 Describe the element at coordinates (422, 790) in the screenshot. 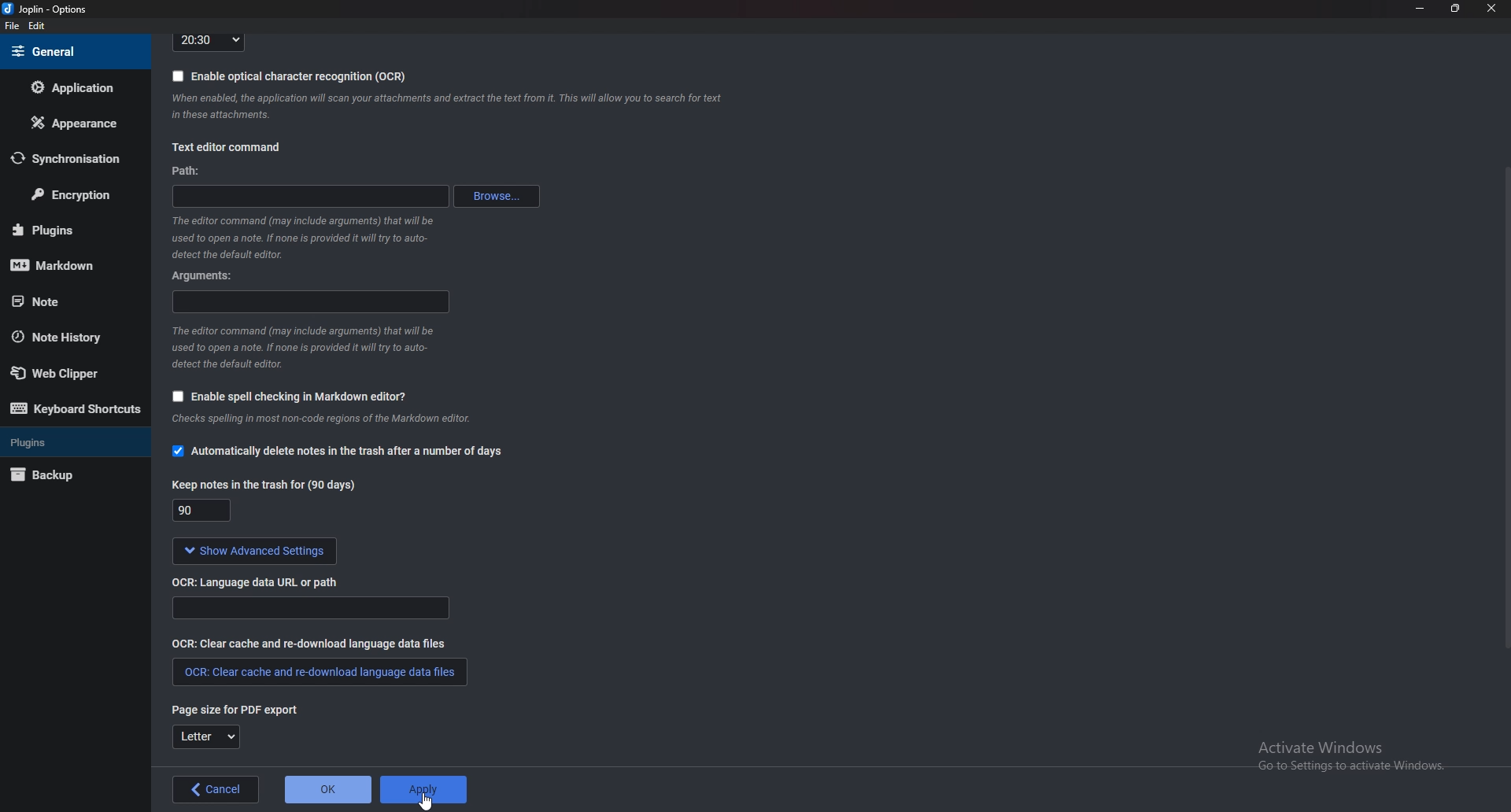

I see `Apply` at that location.